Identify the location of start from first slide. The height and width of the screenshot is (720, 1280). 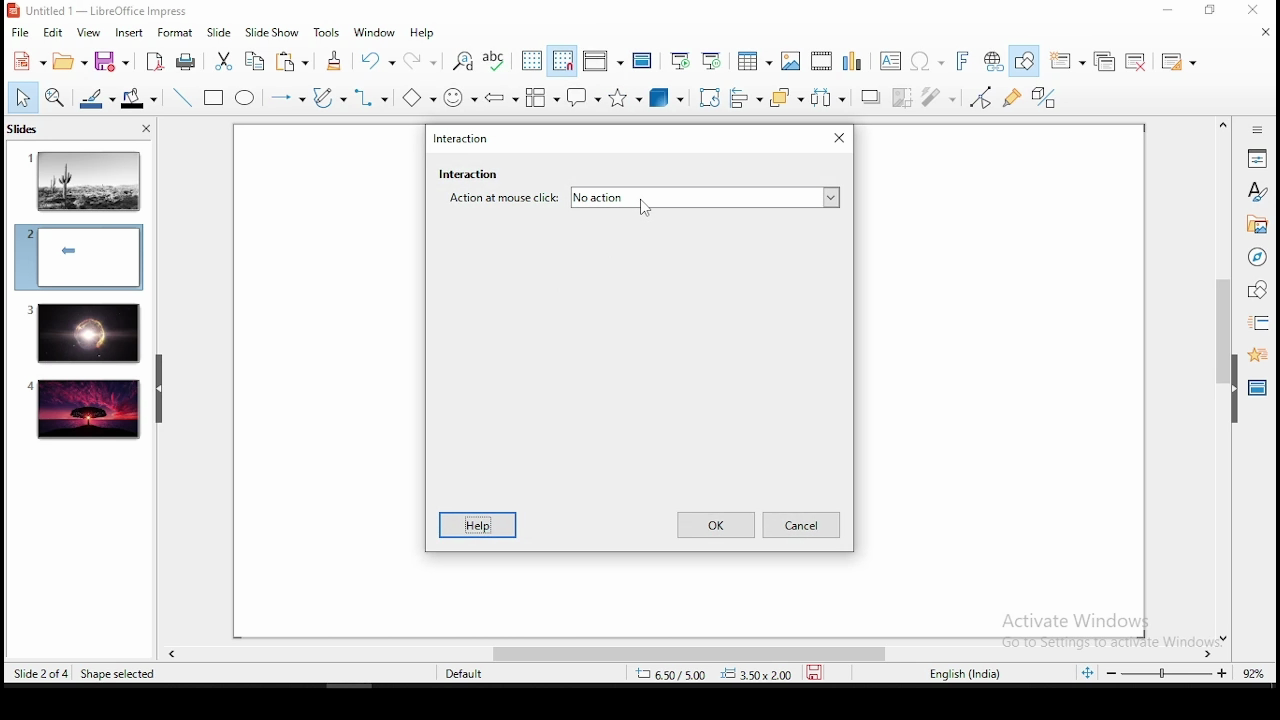
(680, 61).